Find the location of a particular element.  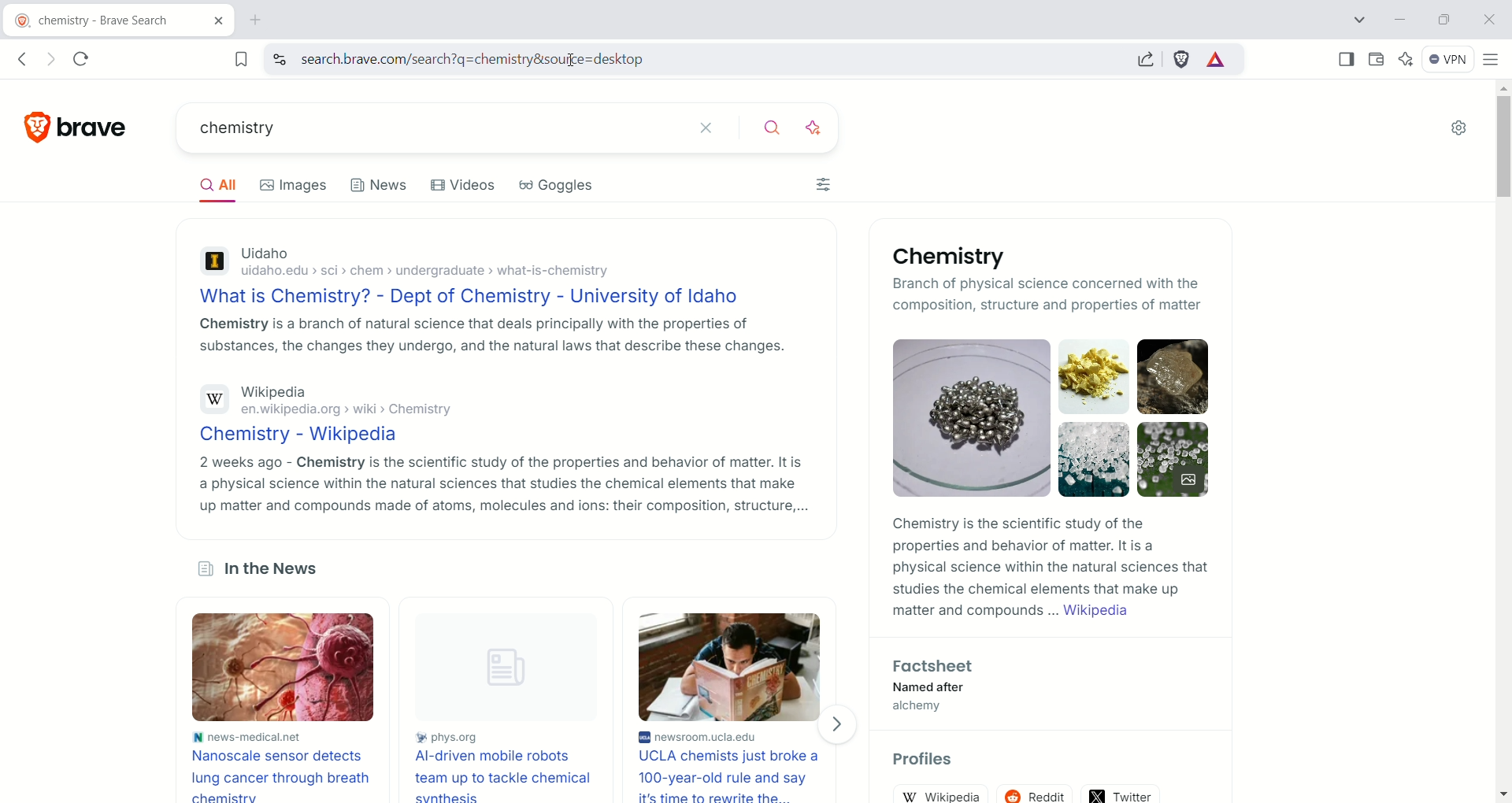

wallet is located at coordinates (1377, 61).